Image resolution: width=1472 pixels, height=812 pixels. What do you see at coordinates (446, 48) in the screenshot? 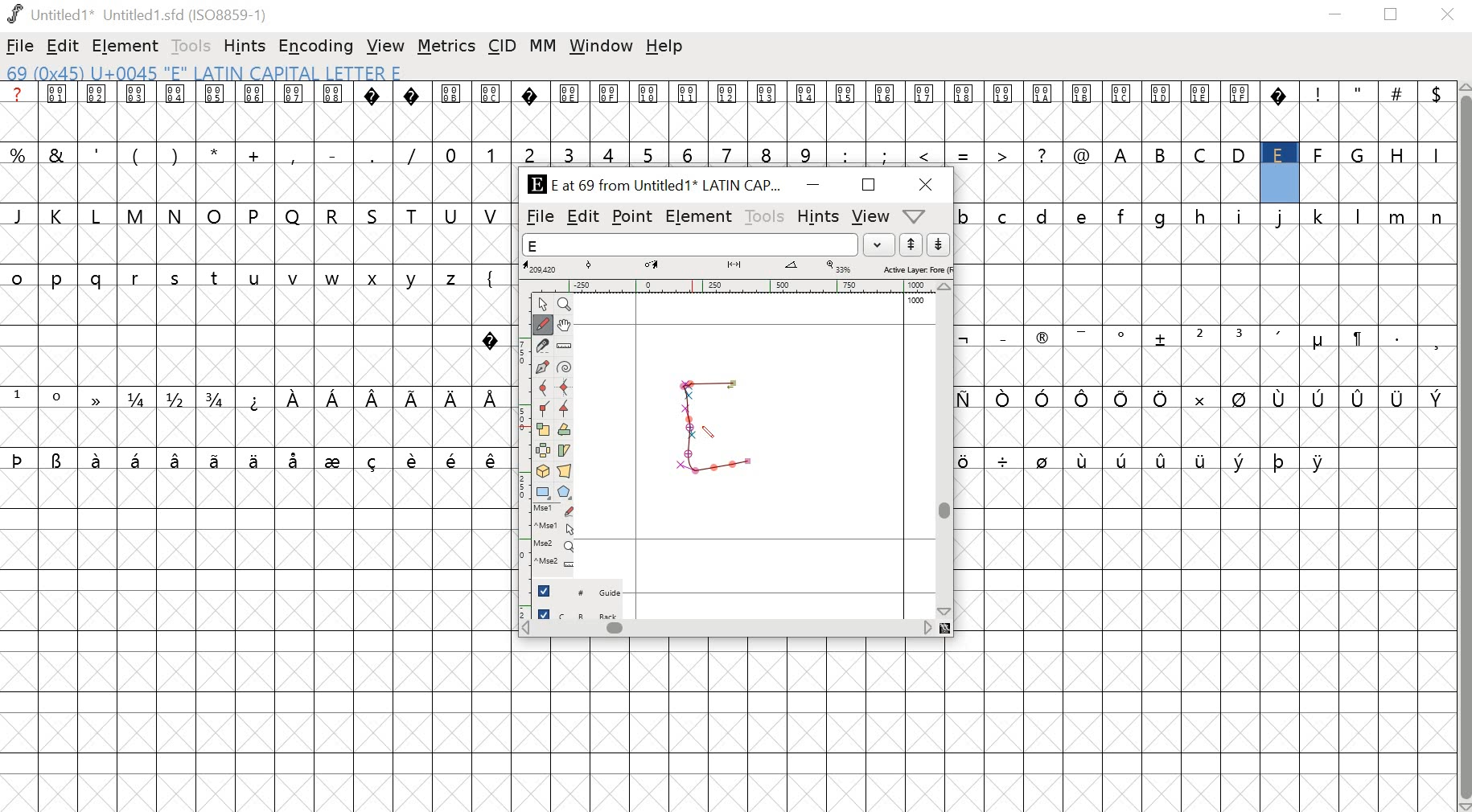
I see `metrics` at bounding box center [446, 48].